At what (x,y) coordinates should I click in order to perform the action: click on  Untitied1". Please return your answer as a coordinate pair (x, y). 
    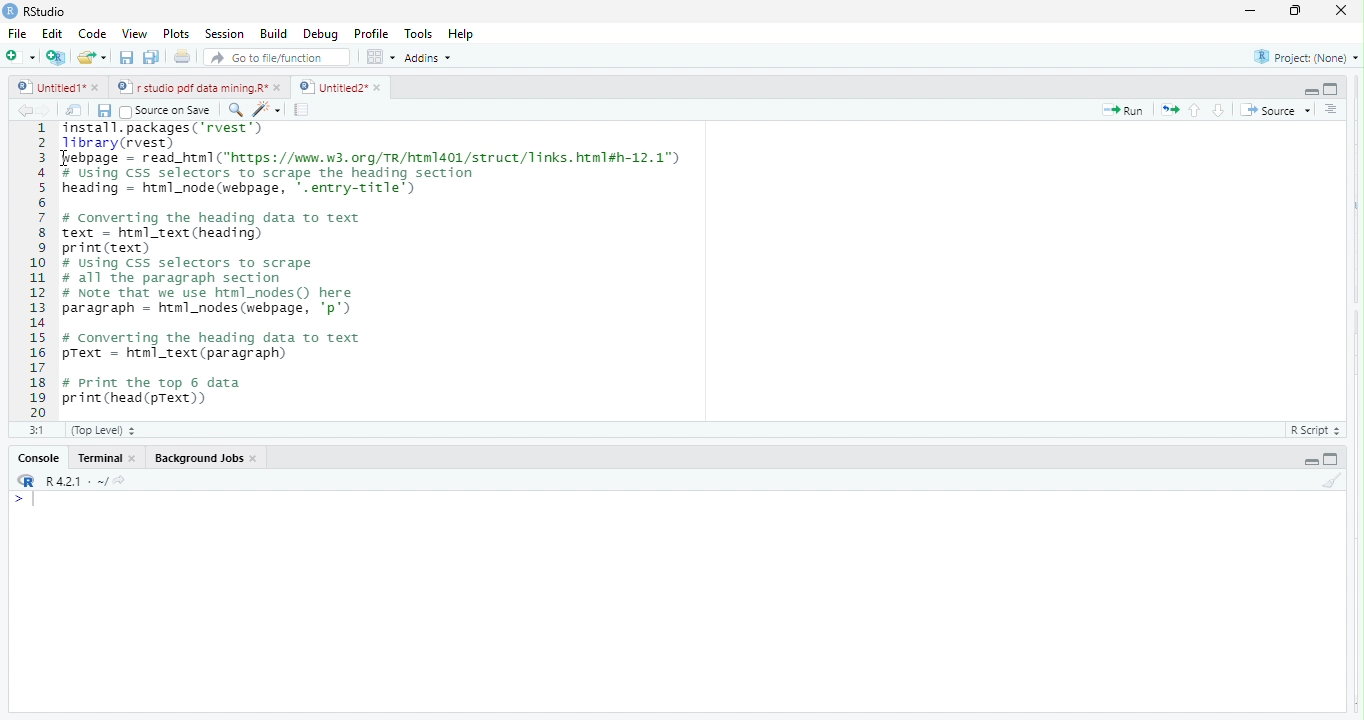
    Looking at the image, I should click on (47, 87).